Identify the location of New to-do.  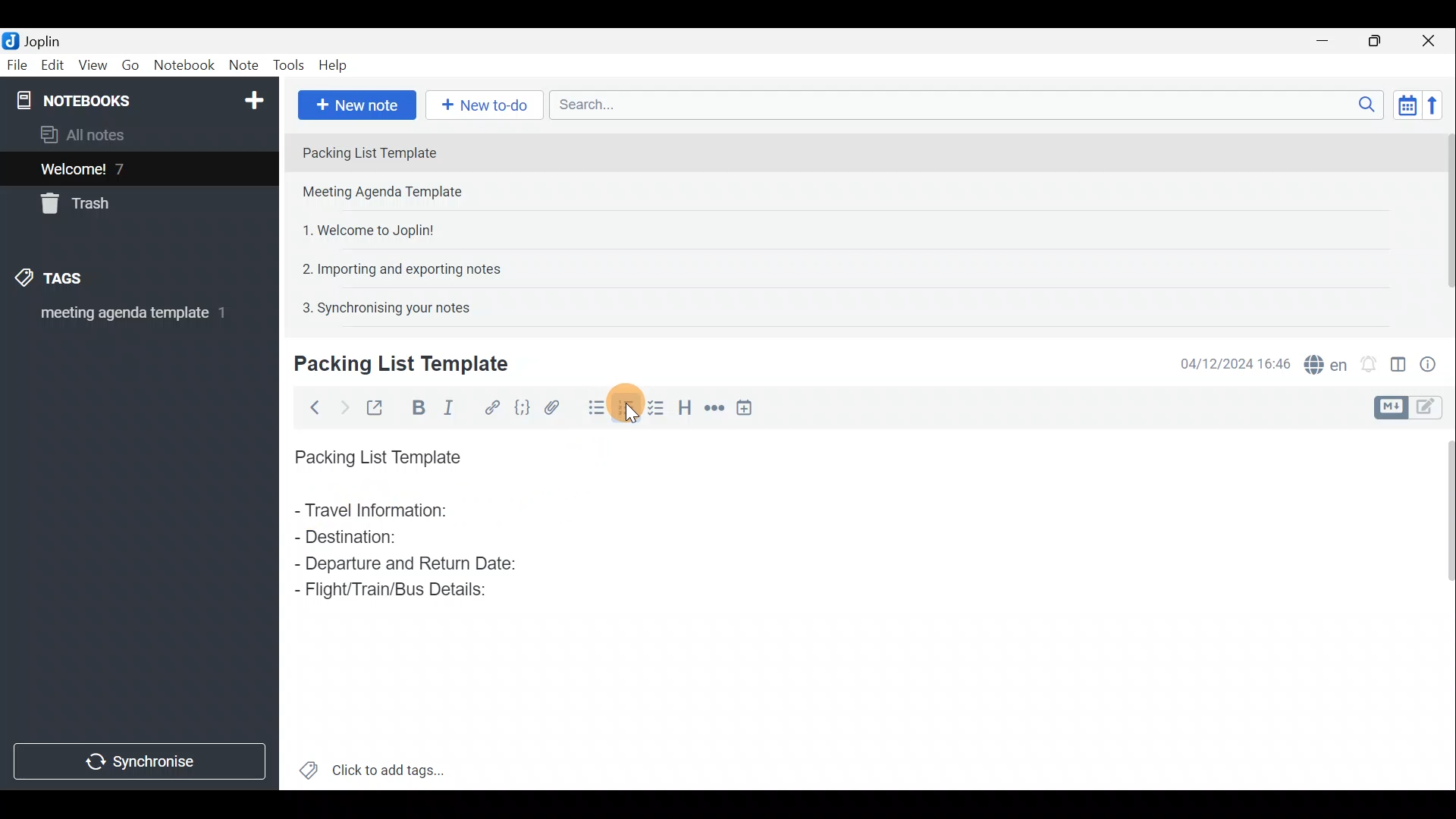
(485, 105).